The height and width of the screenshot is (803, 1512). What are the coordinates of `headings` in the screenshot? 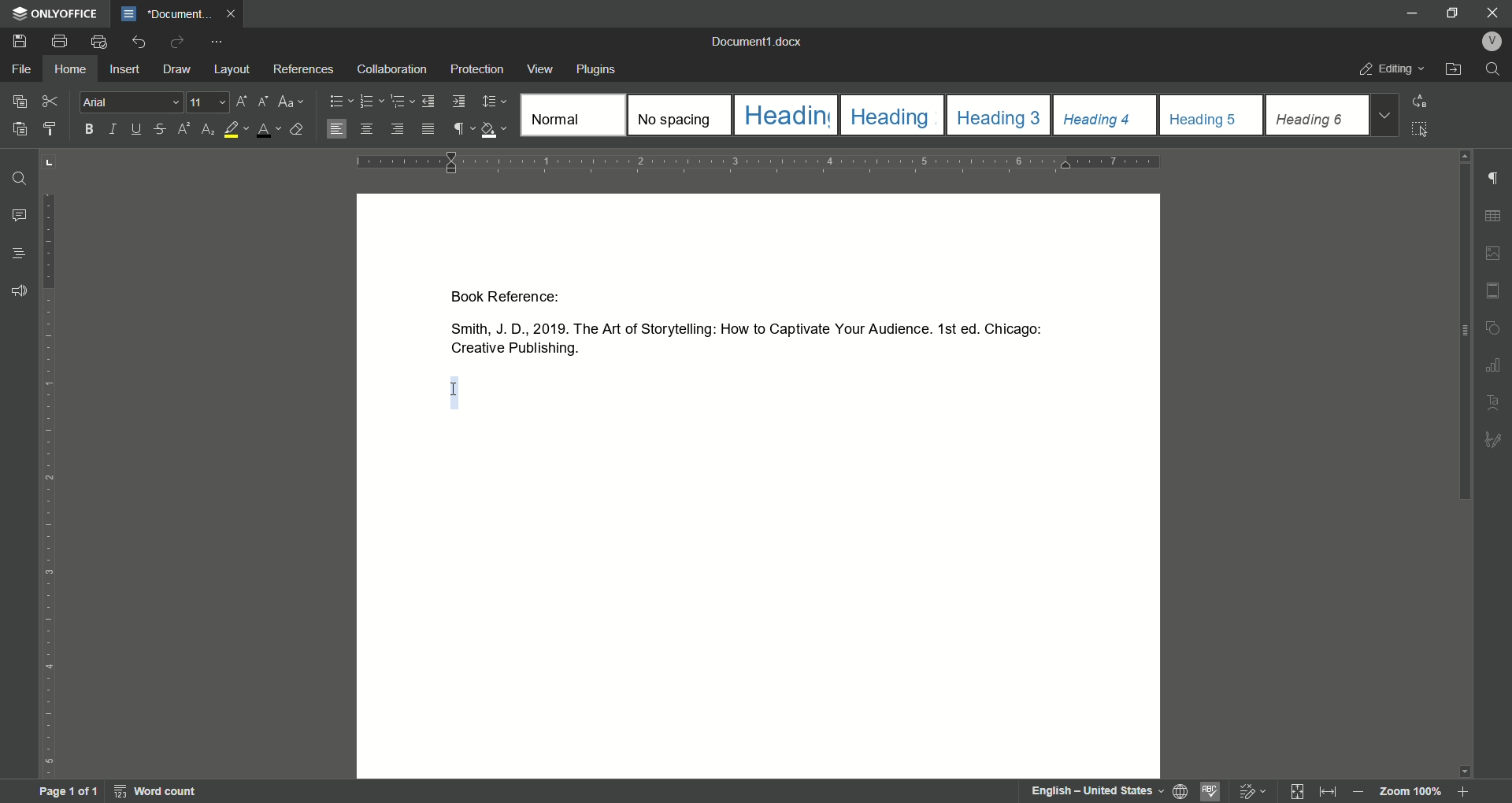 It's located at (999, 115).